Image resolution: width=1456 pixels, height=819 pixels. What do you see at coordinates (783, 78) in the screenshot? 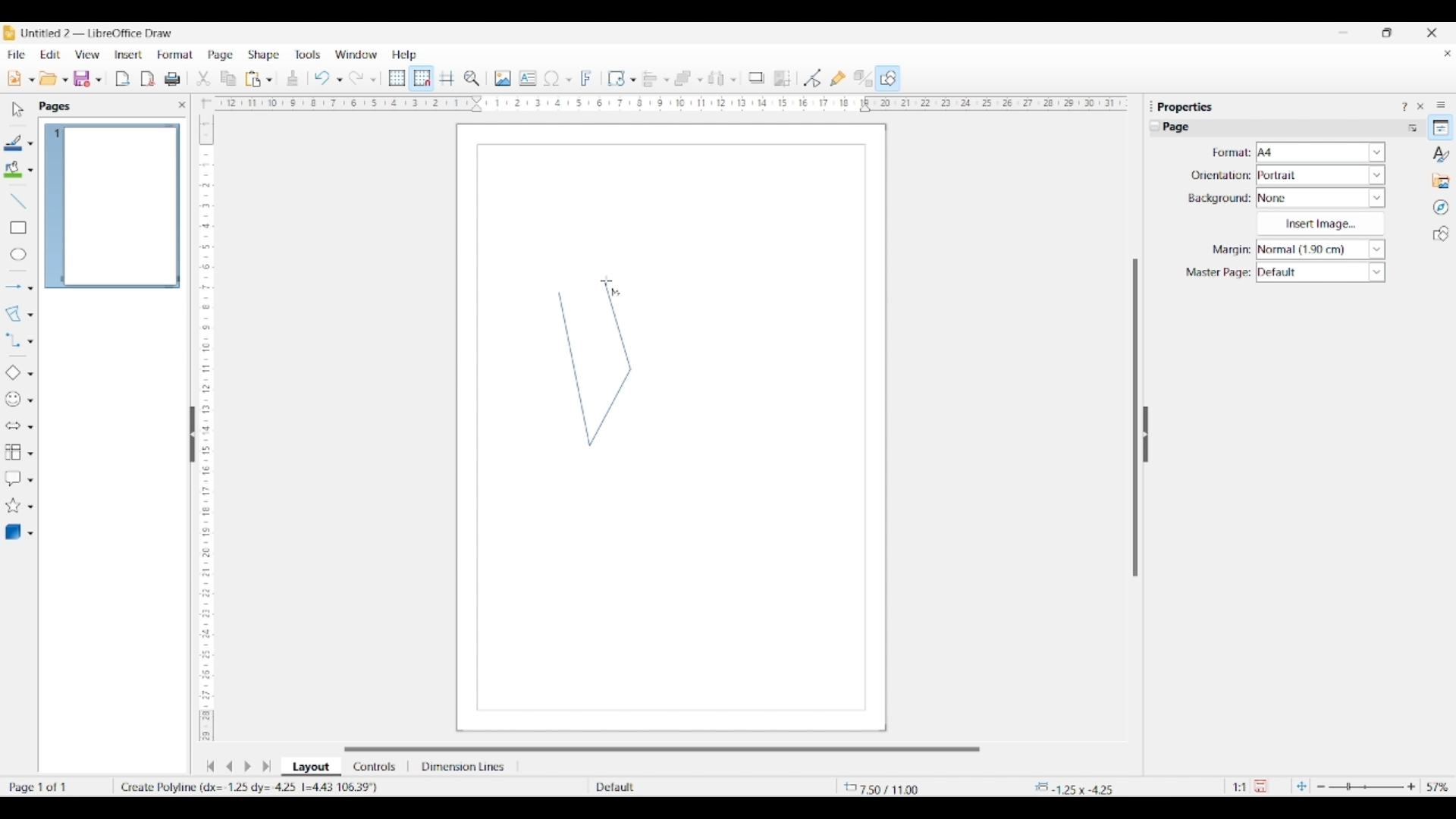
I see `Crop image` at bounding box center [783, 78].